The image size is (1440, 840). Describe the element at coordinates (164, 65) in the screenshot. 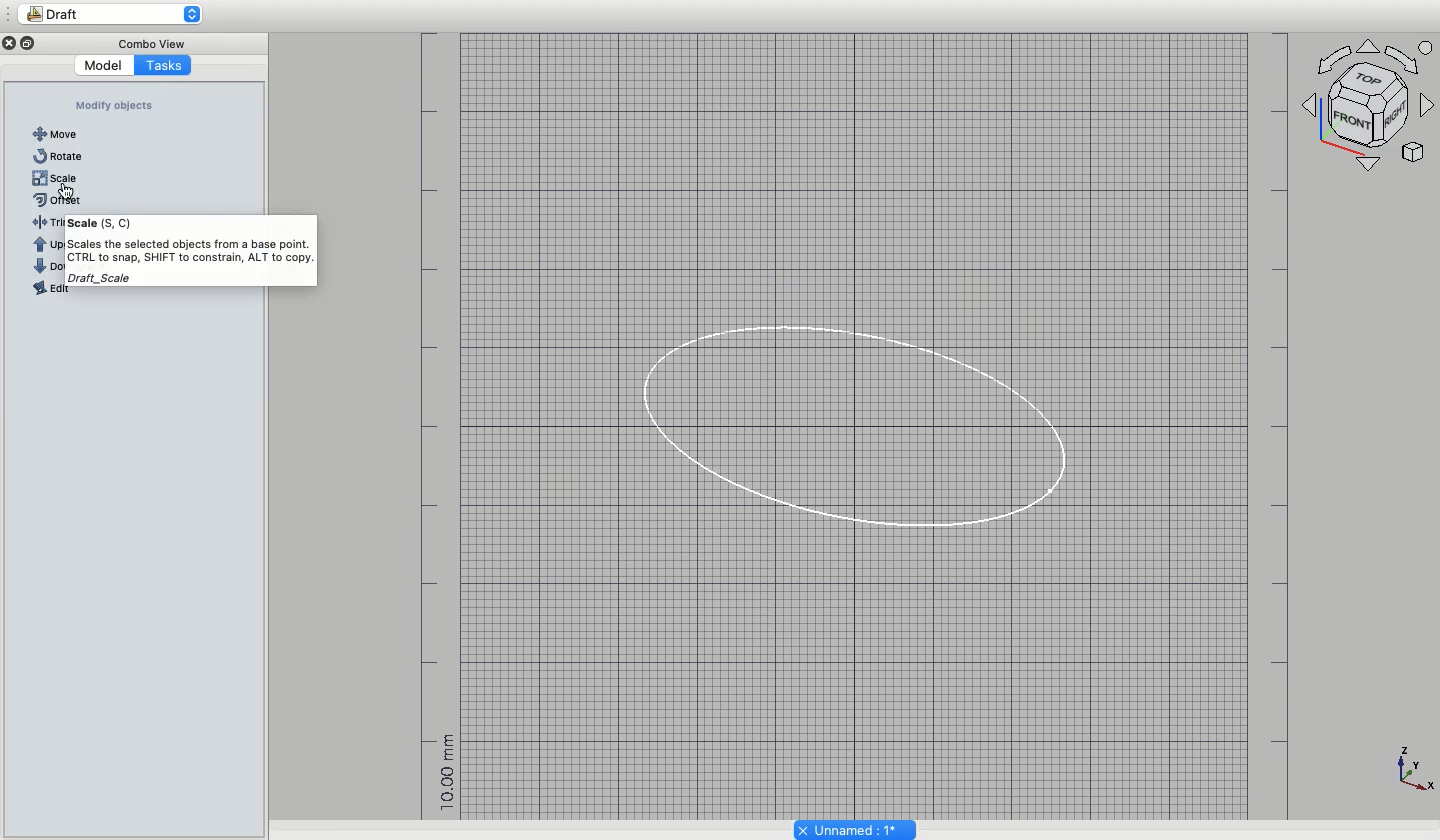

I see `Tasks` at that location.